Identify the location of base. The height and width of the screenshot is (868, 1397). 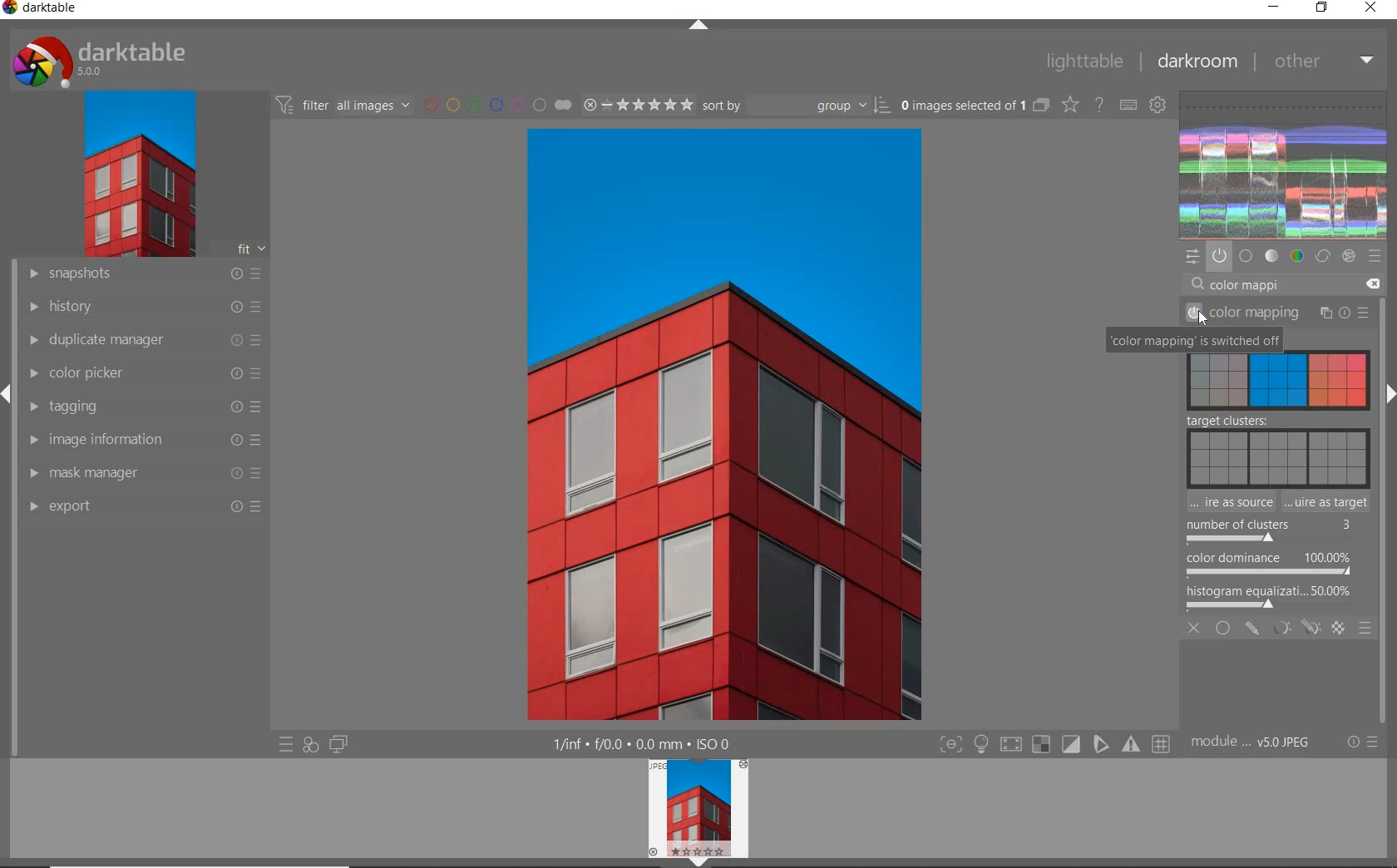
(1246, 257).